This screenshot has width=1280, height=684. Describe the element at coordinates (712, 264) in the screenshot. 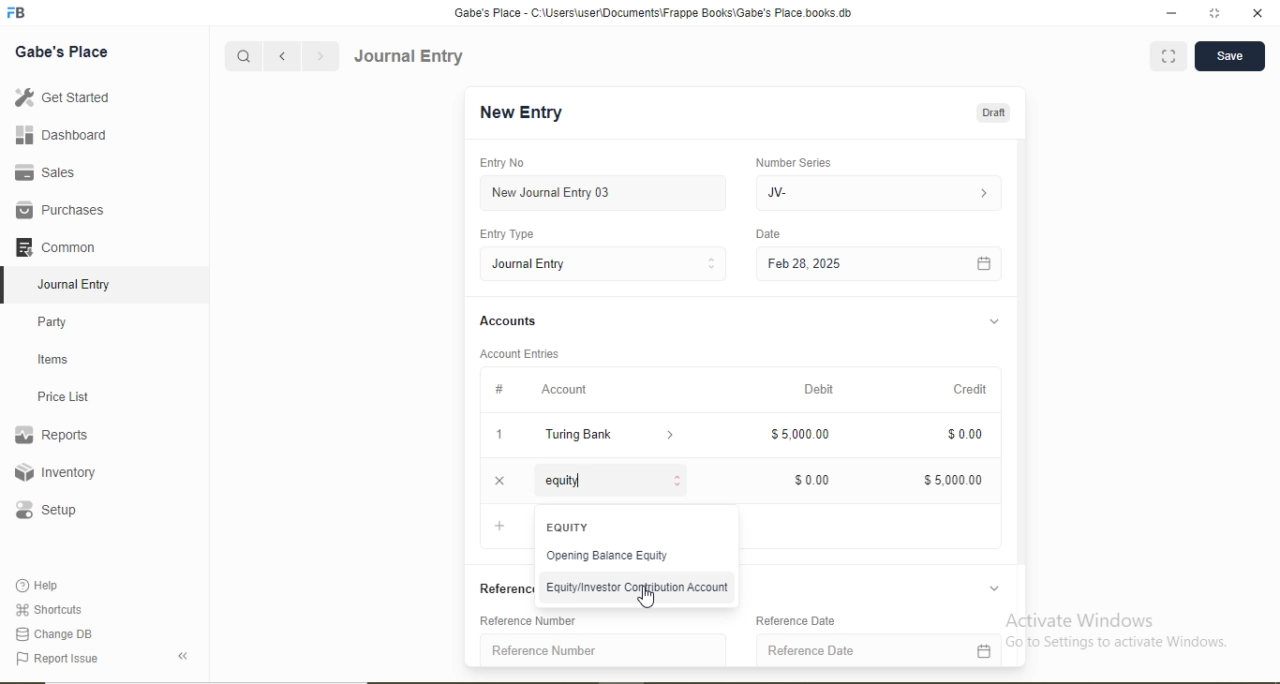

I see `Stepper Buttons` at that location.